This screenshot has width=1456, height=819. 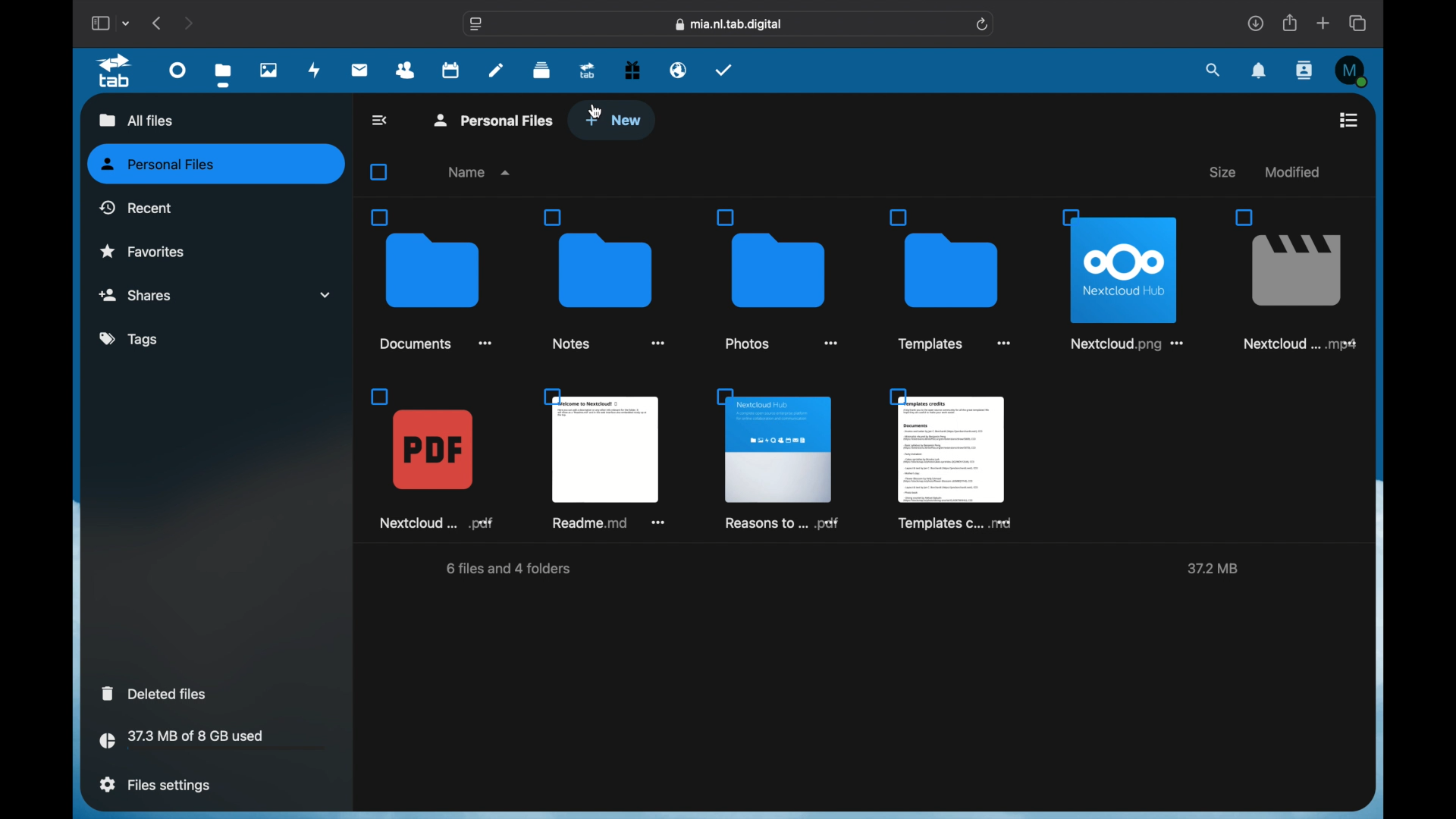 What do you see at coordinates (1214, 71) in the screenshot?
I see `search` at bounding box center [1214, 71].